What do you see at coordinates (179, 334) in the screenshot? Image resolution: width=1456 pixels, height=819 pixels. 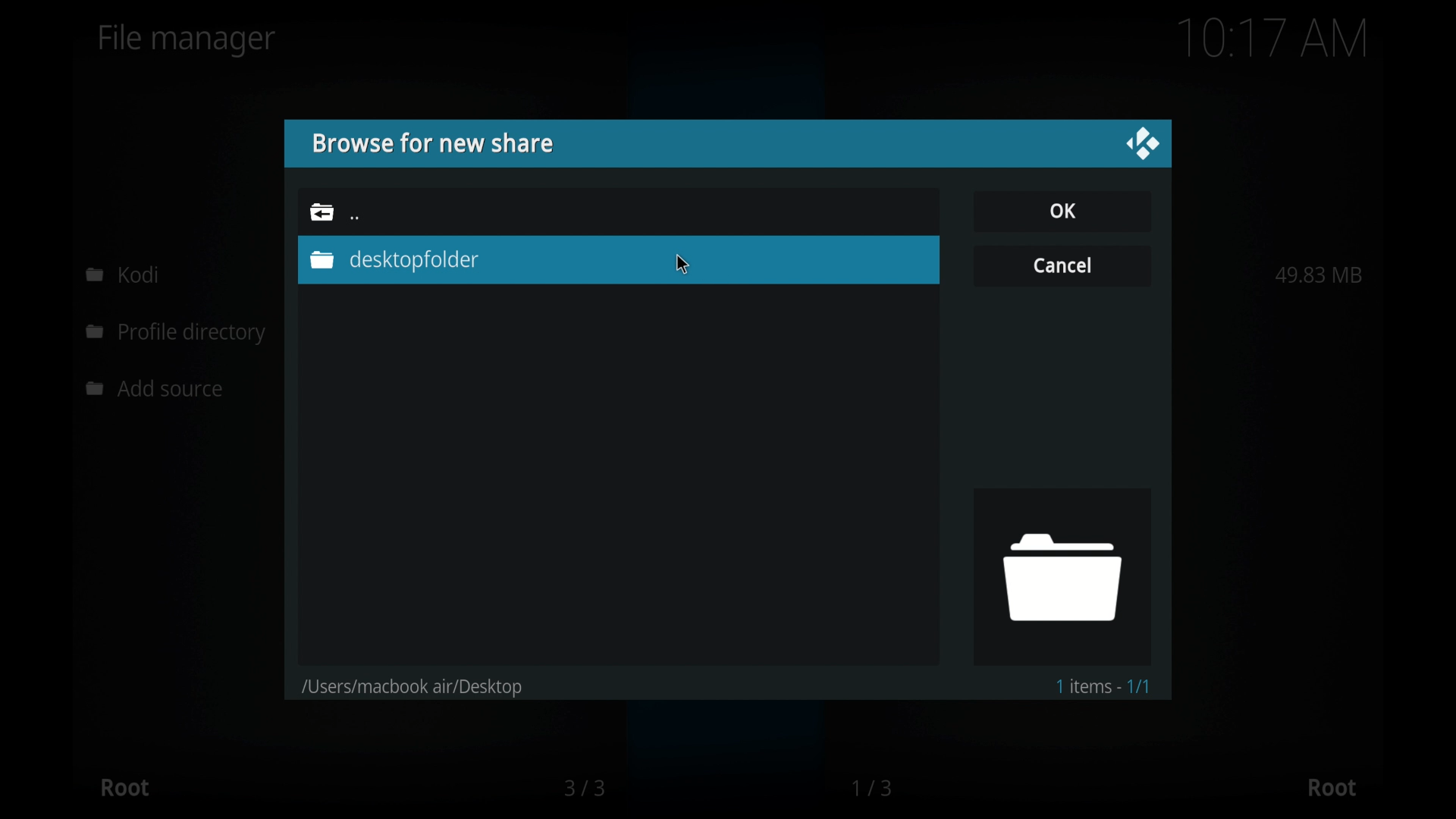 I see `profile directory` at bounding box center [179, 334].